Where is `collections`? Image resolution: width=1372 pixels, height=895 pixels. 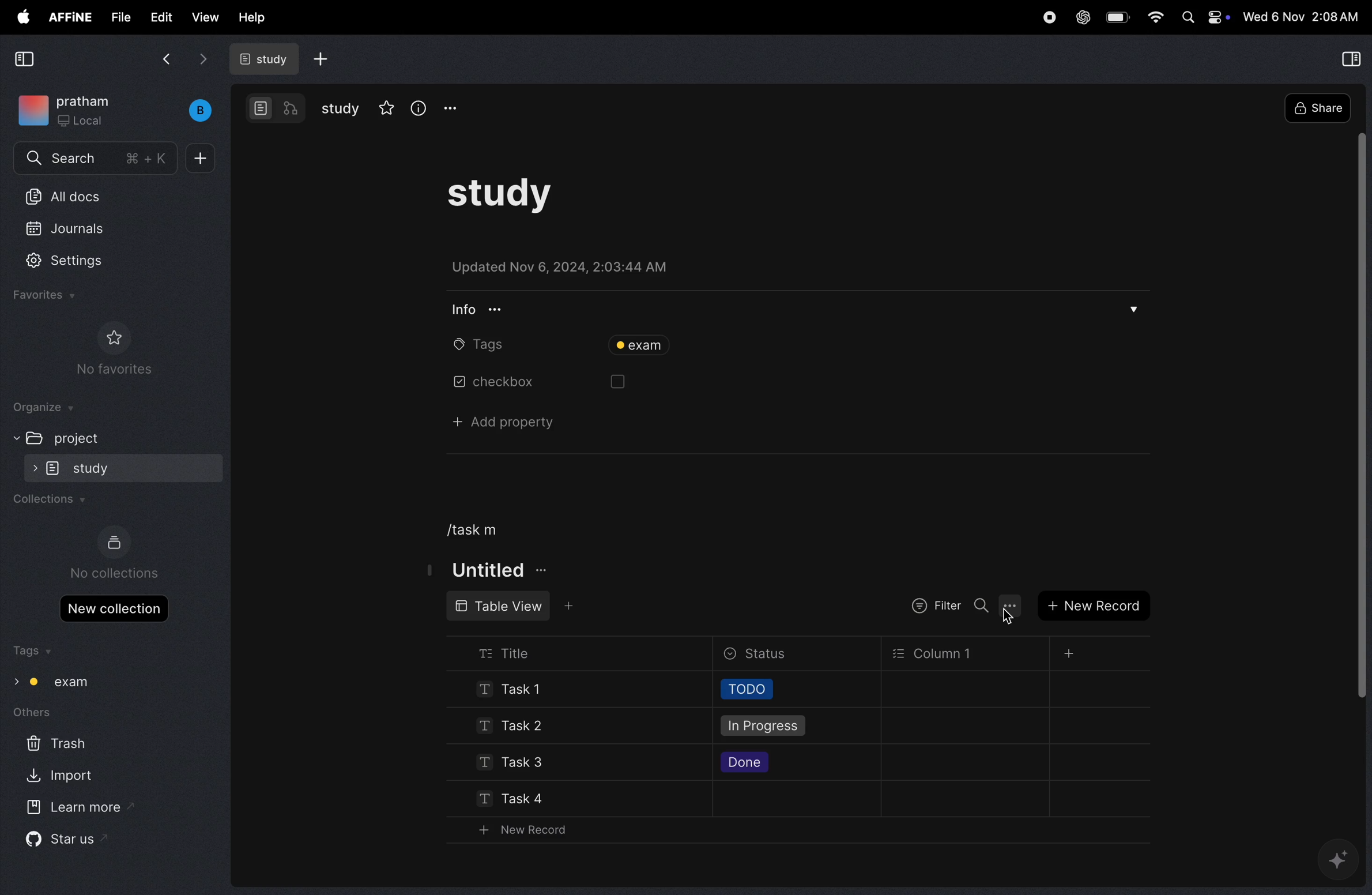
collections is located at coordinates (50, 501).